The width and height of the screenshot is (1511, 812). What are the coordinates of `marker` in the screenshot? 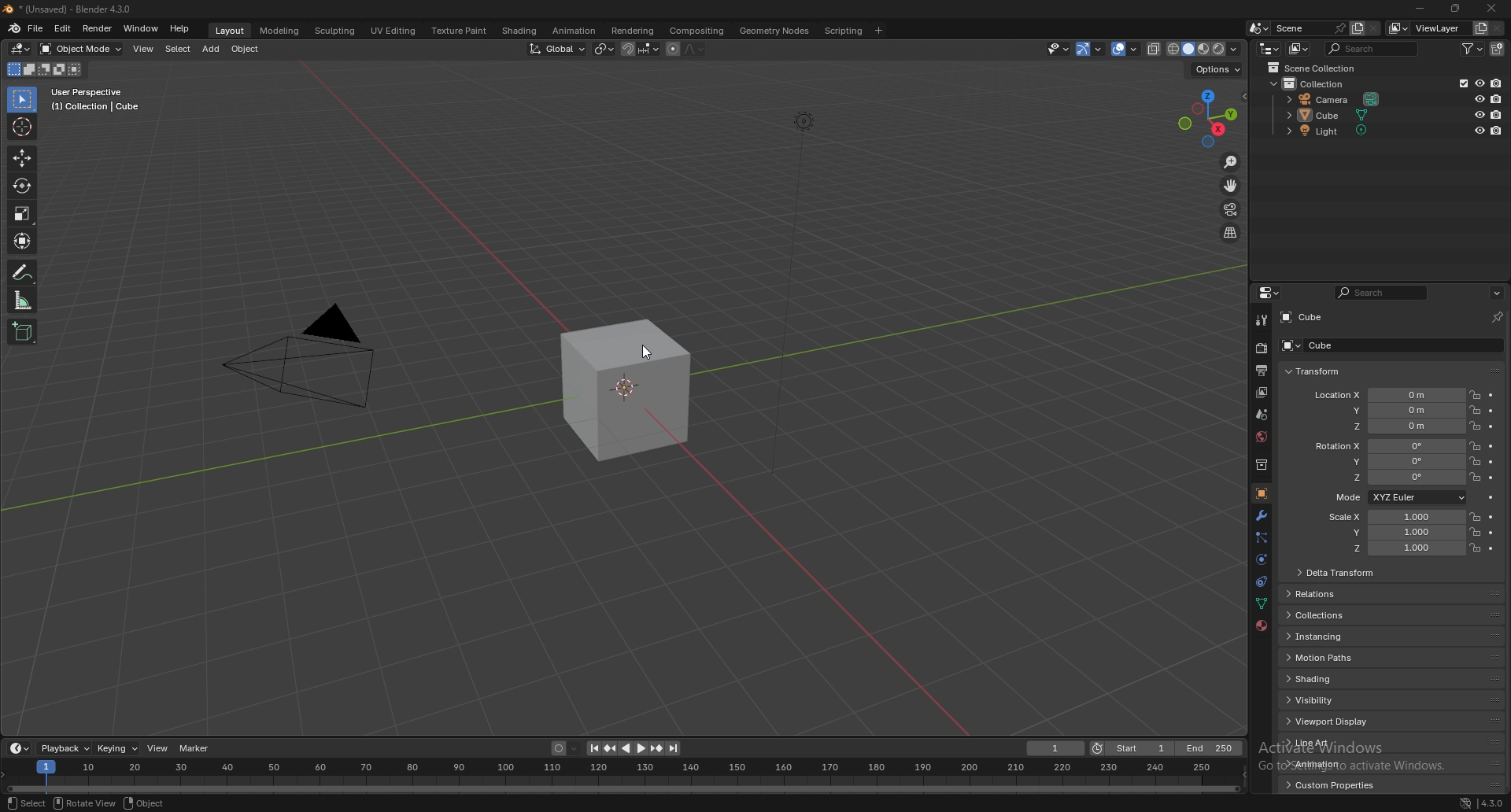 It's located at (195, 747).